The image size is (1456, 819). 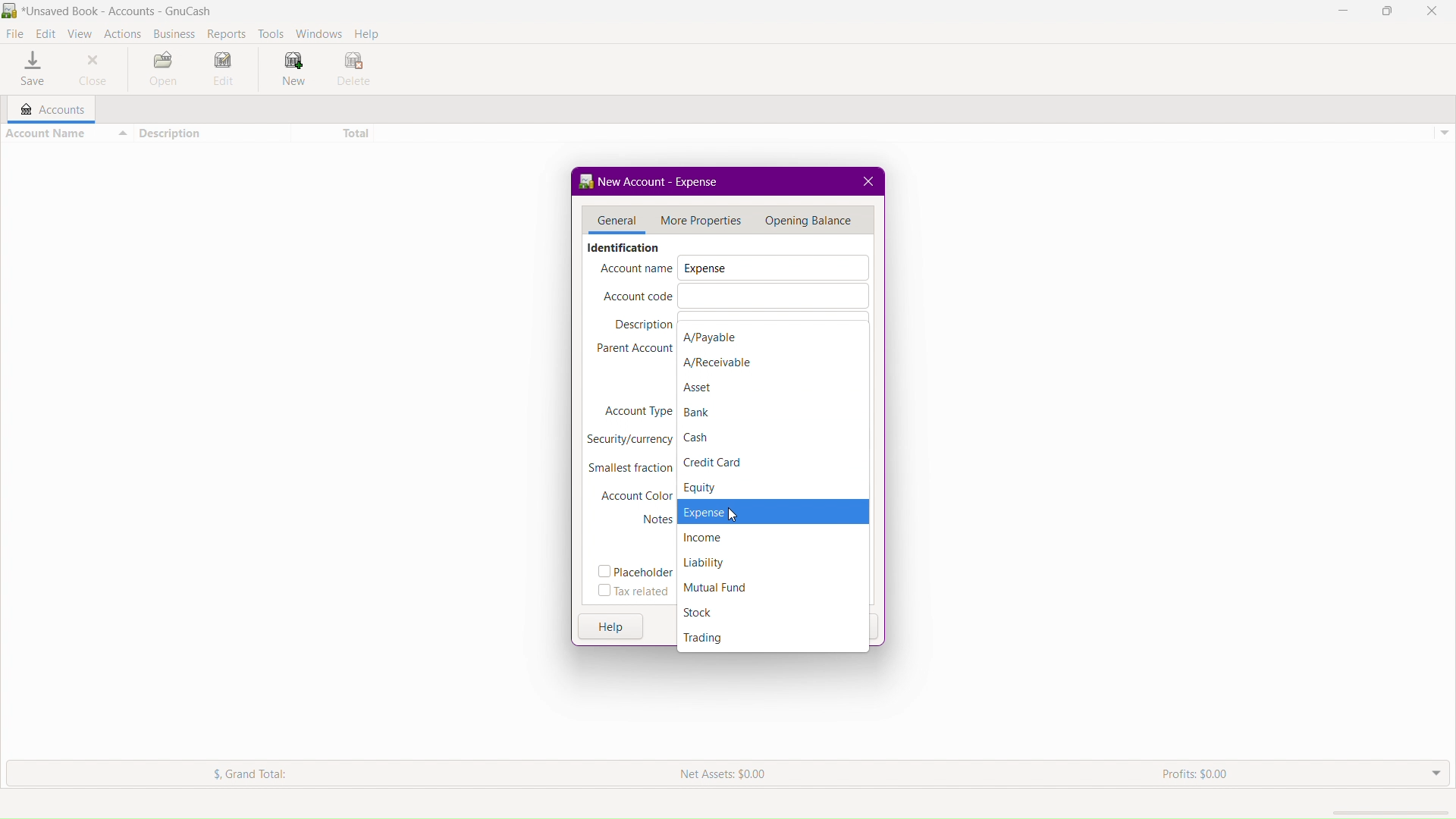 What do you see at coordinates (726, 774) in the screenshot?
I see `Net Assets: $0.00` at bounding box center [726, 774].